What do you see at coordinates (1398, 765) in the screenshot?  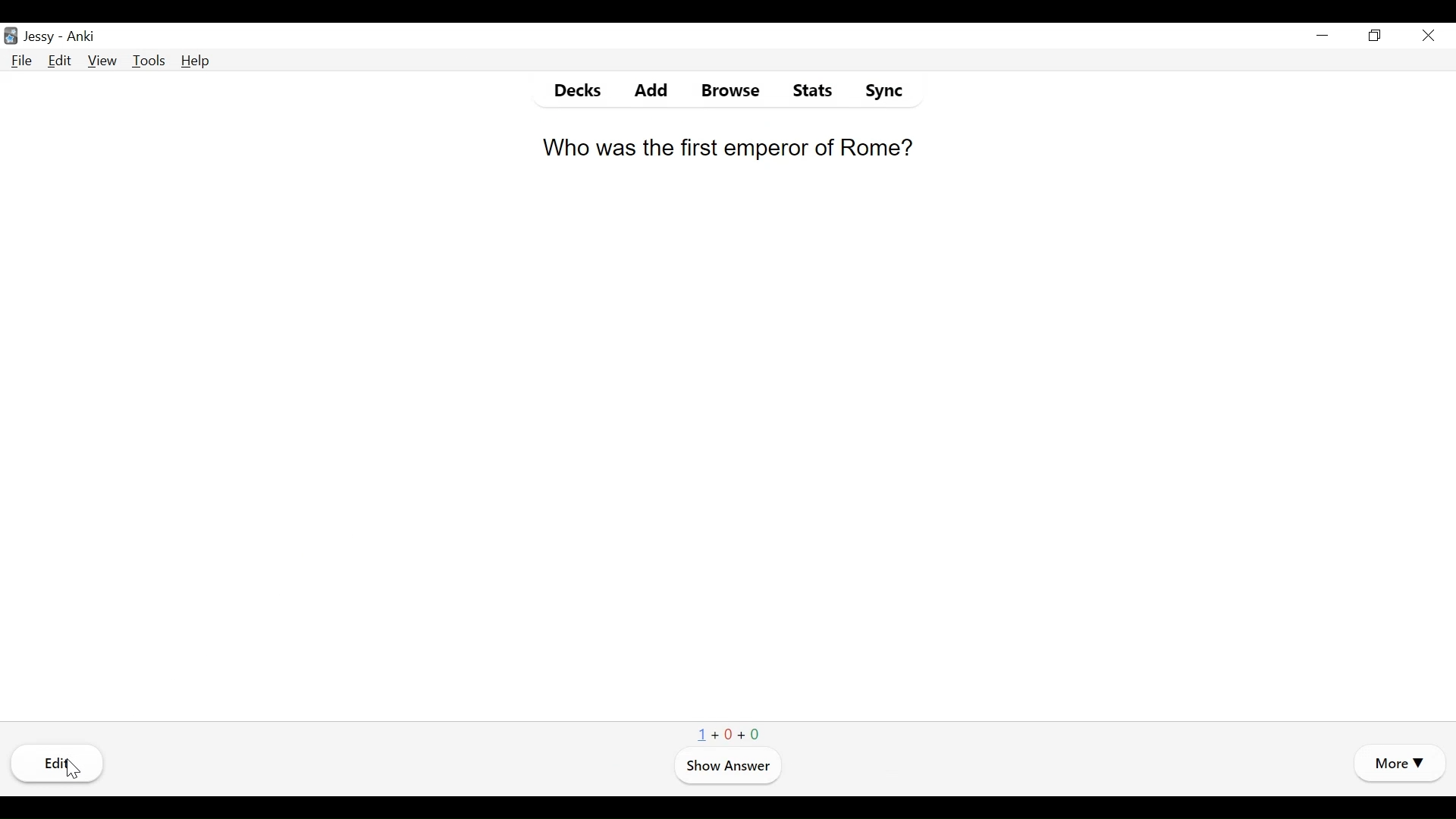 I see `More Options` at bounding box center [1398, 765].